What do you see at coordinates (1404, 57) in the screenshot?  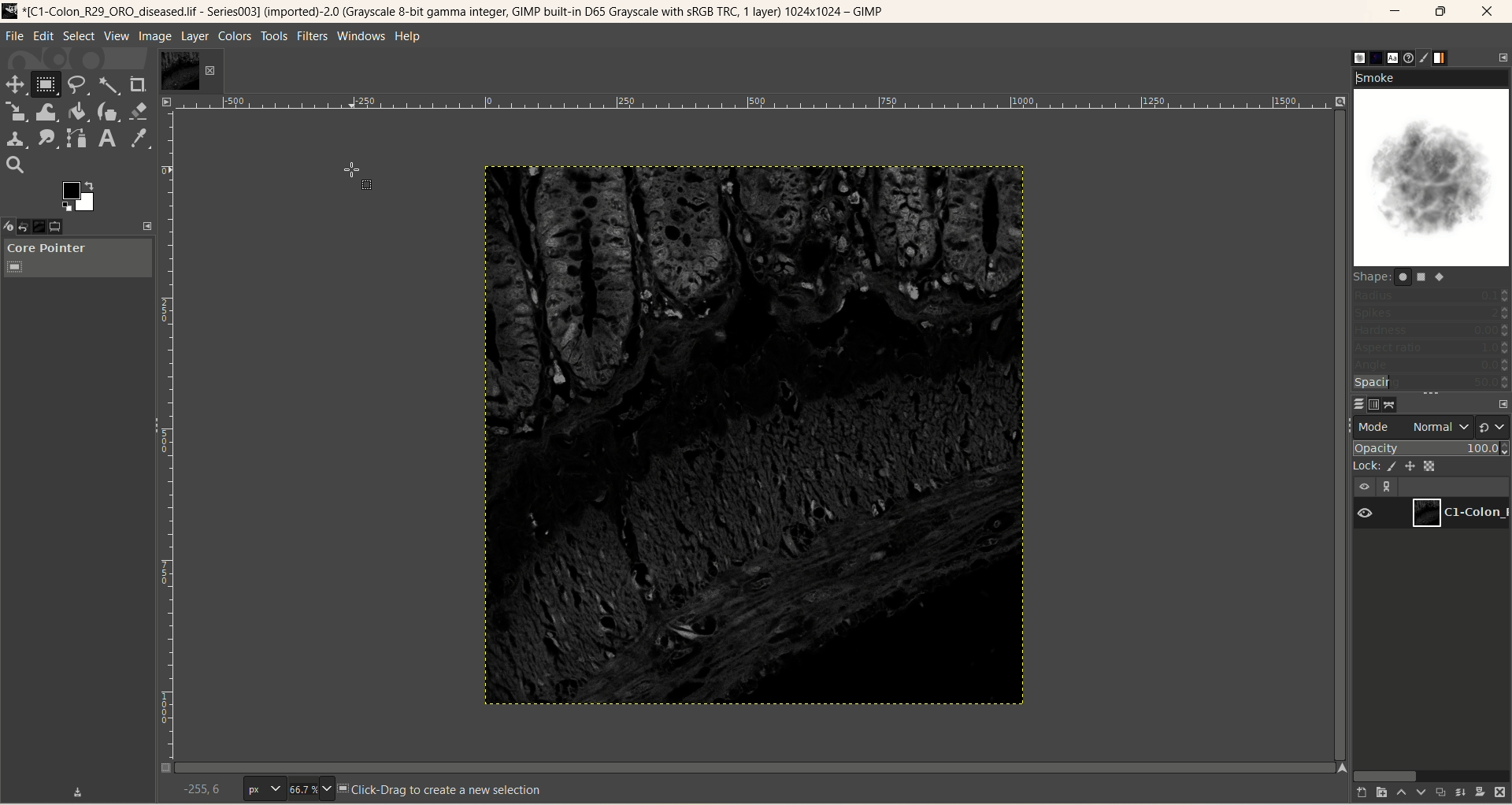 I see `document history` at bounding box center [1404, 57].